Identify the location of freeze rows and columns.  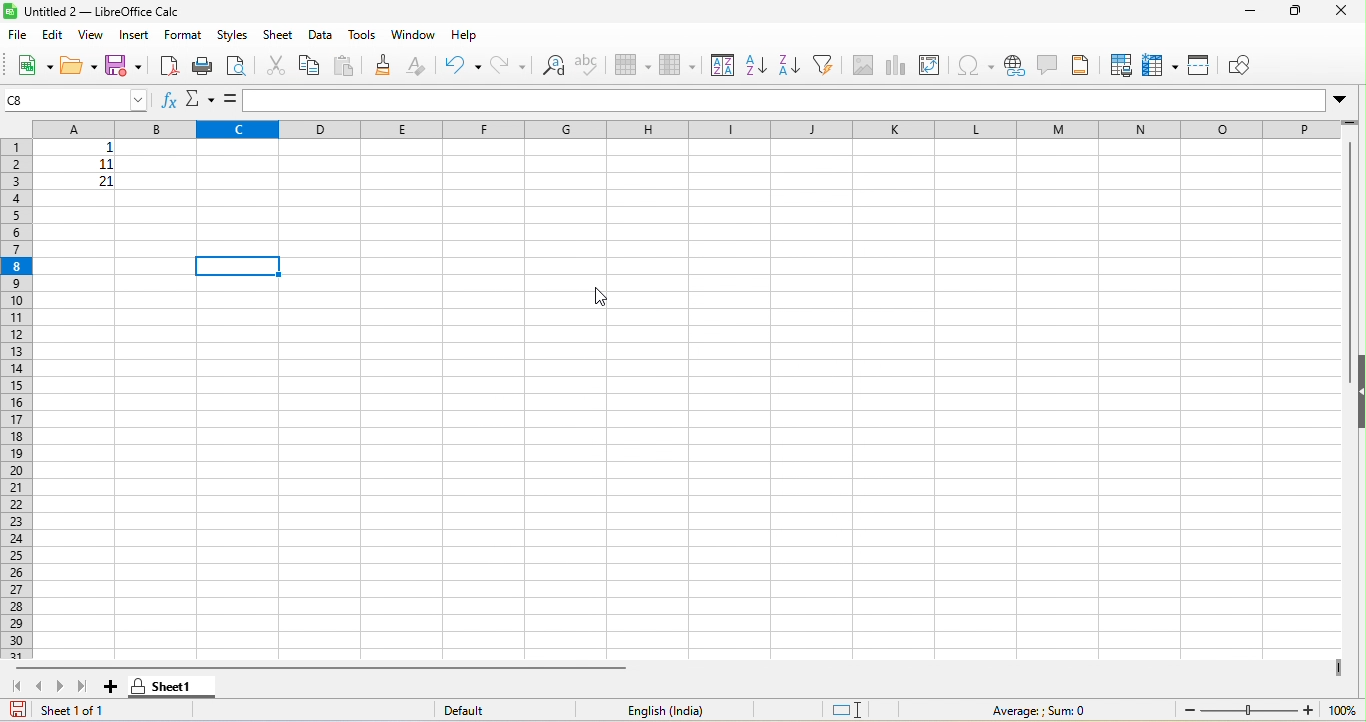
(1170, 65).